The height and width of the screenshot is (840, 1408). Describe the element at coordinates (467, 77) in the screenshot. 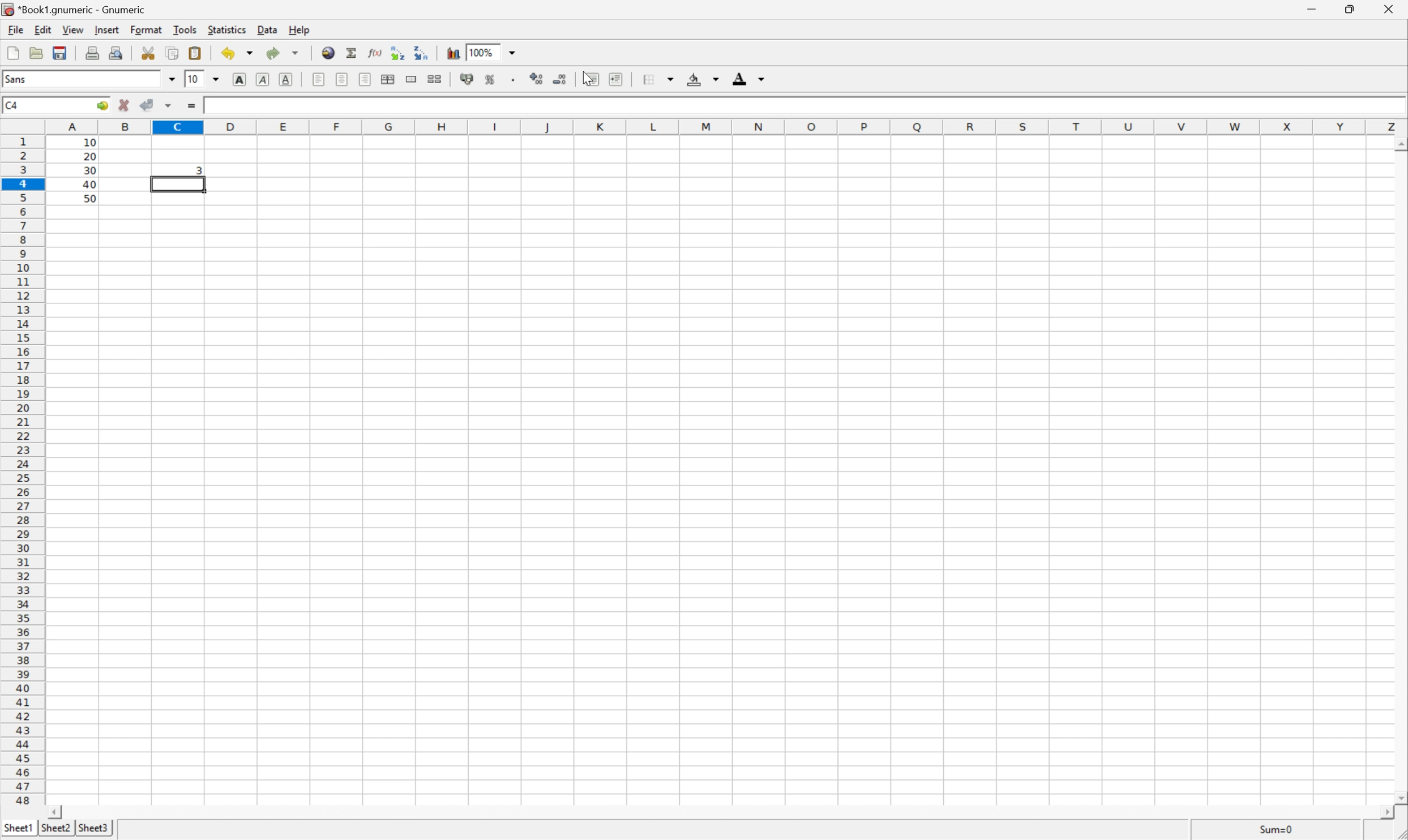

I see `Format the selection as accounting` at that location.